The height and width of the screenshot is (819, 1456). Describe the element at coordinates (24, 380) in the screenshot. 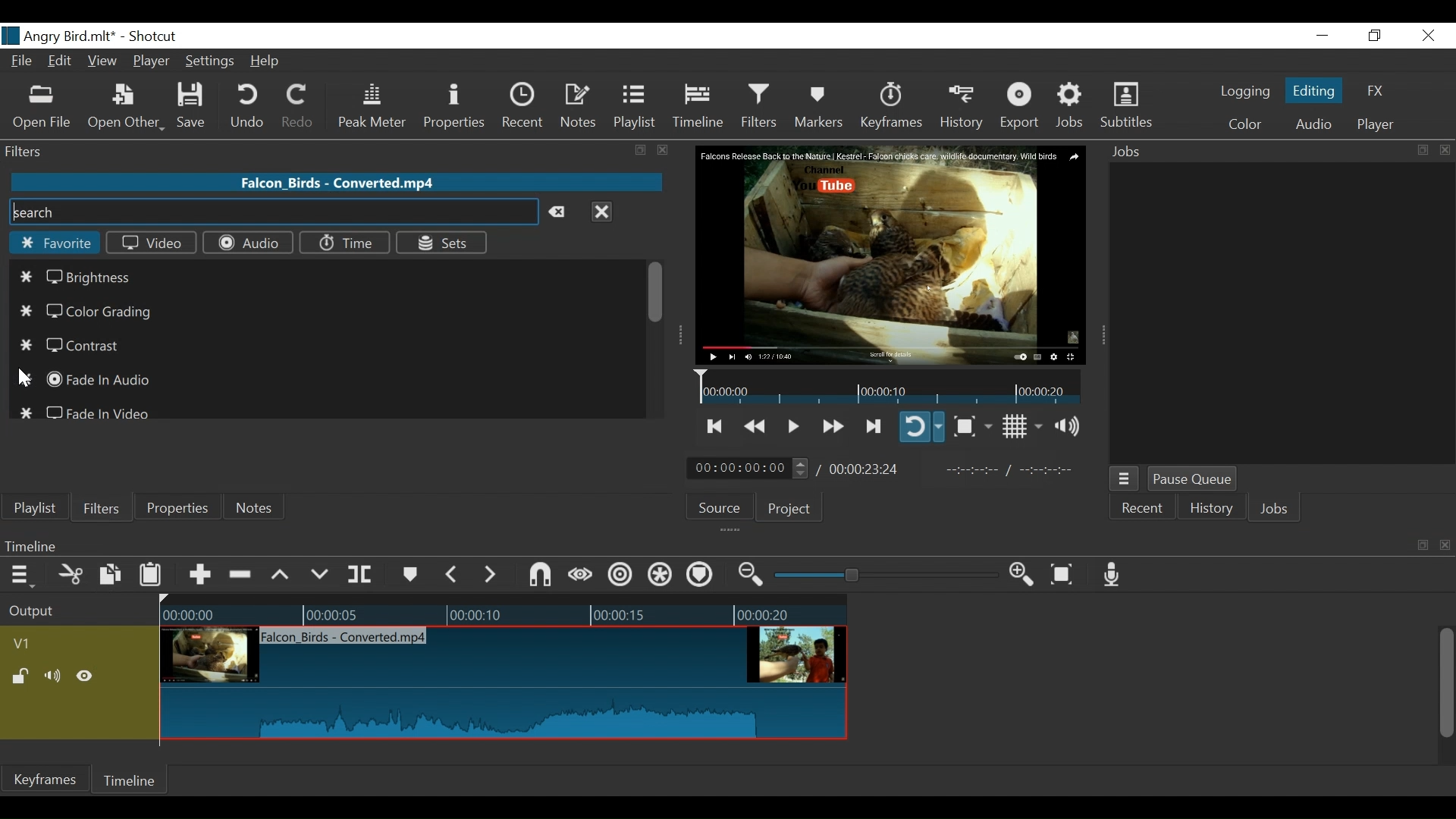

I see `Cursor` at that location.